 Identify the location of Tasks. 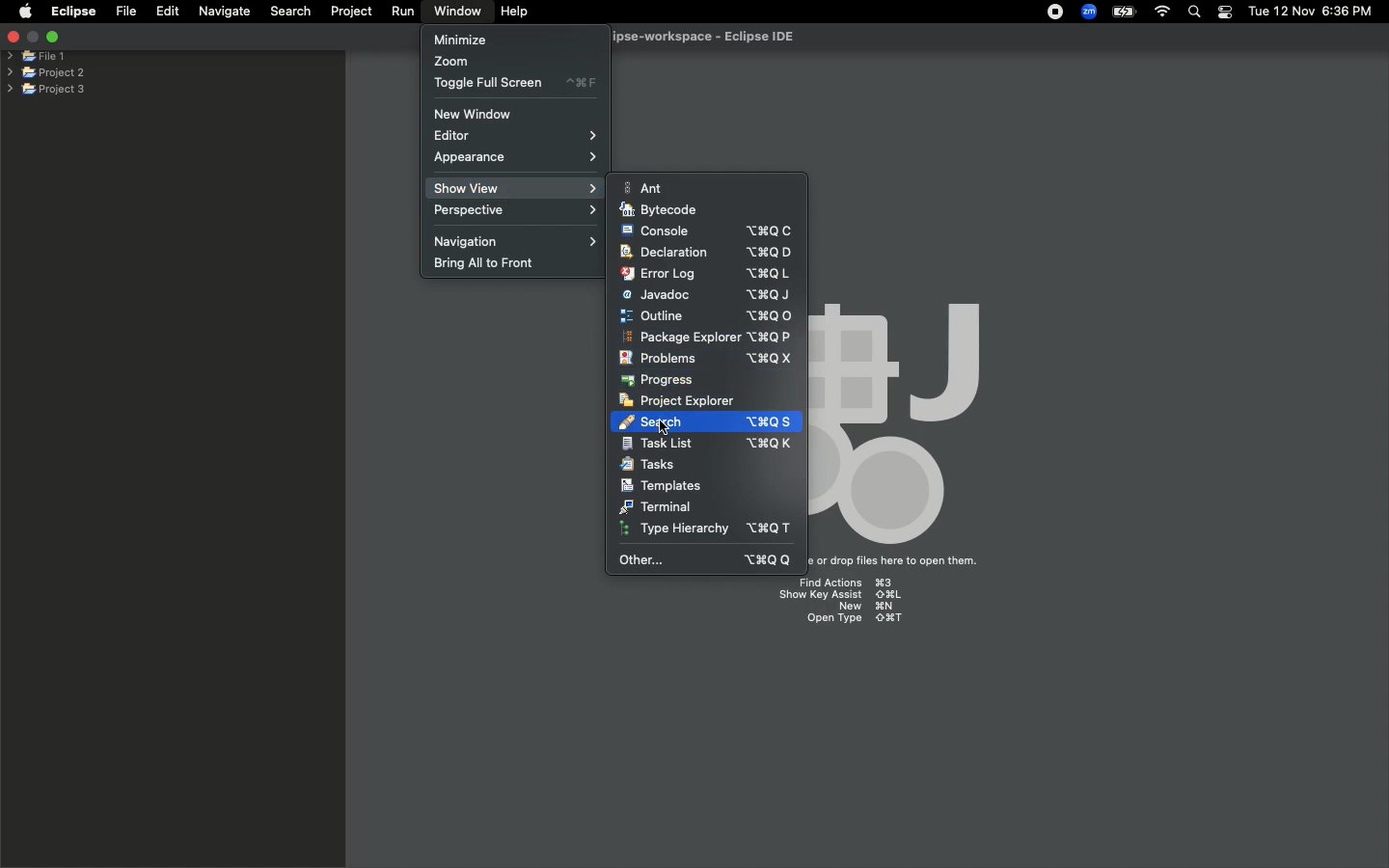
(650, 465).